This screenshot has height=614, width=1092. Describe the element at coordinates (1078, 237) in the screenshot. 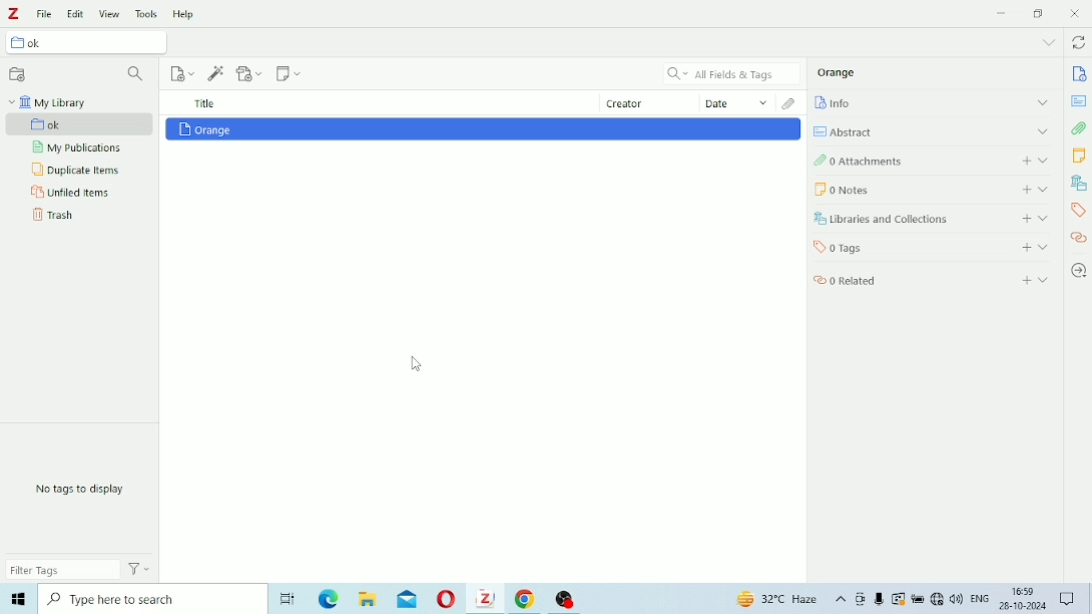

I see `Related` at that location.